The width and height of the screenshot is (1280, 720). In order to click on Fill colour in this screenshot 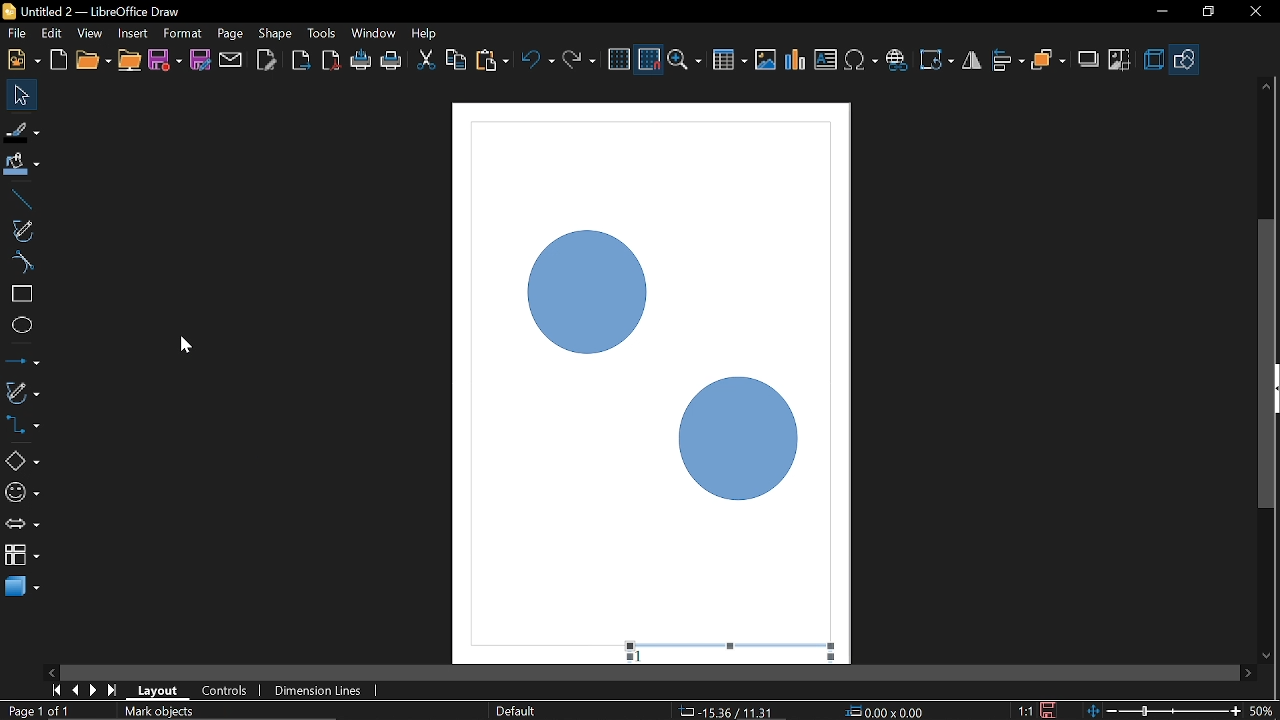, I will do `click(22, 165)`.